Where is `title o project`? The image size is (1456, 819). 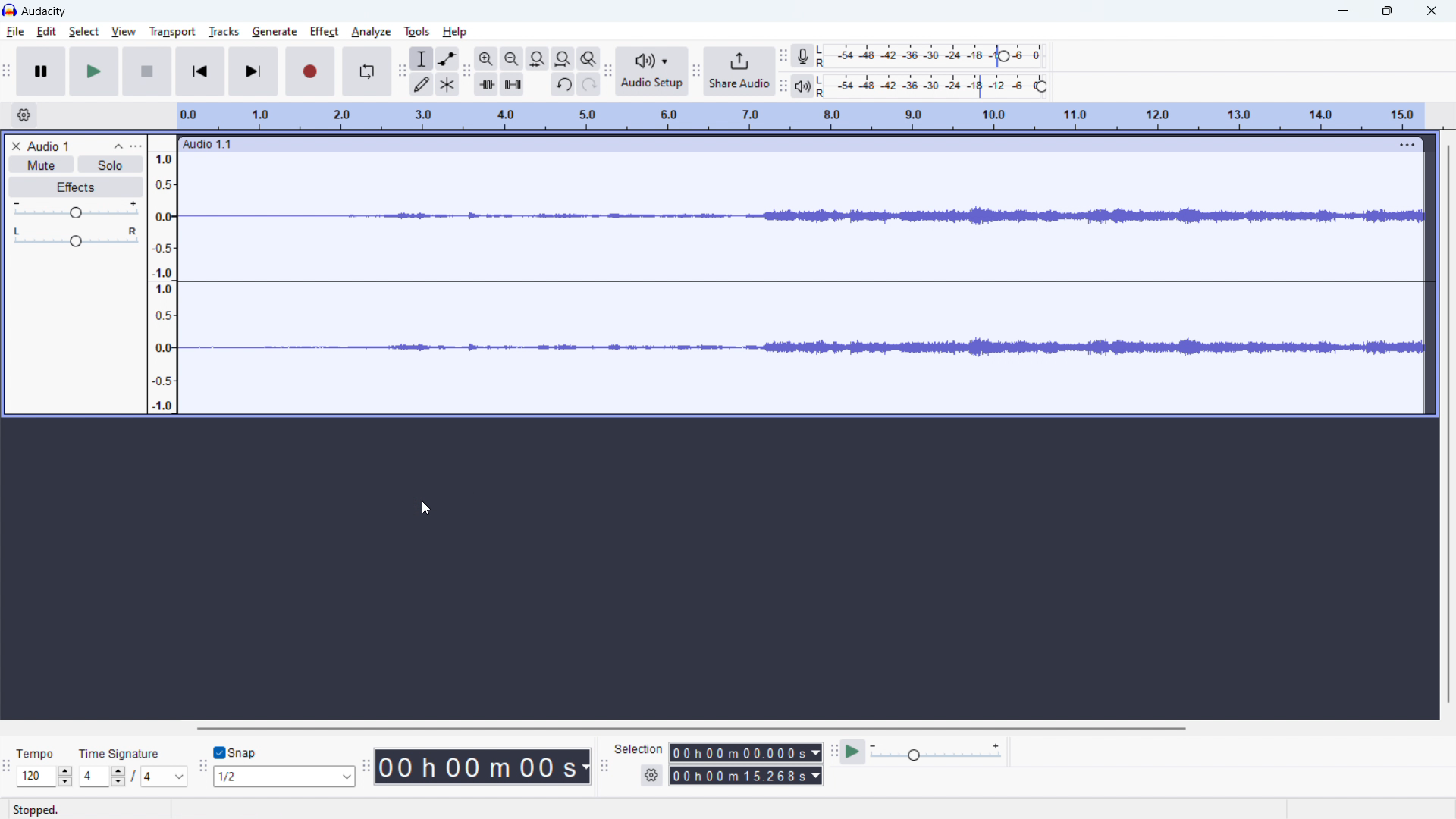 title o project is located at coordinates (49, 146).